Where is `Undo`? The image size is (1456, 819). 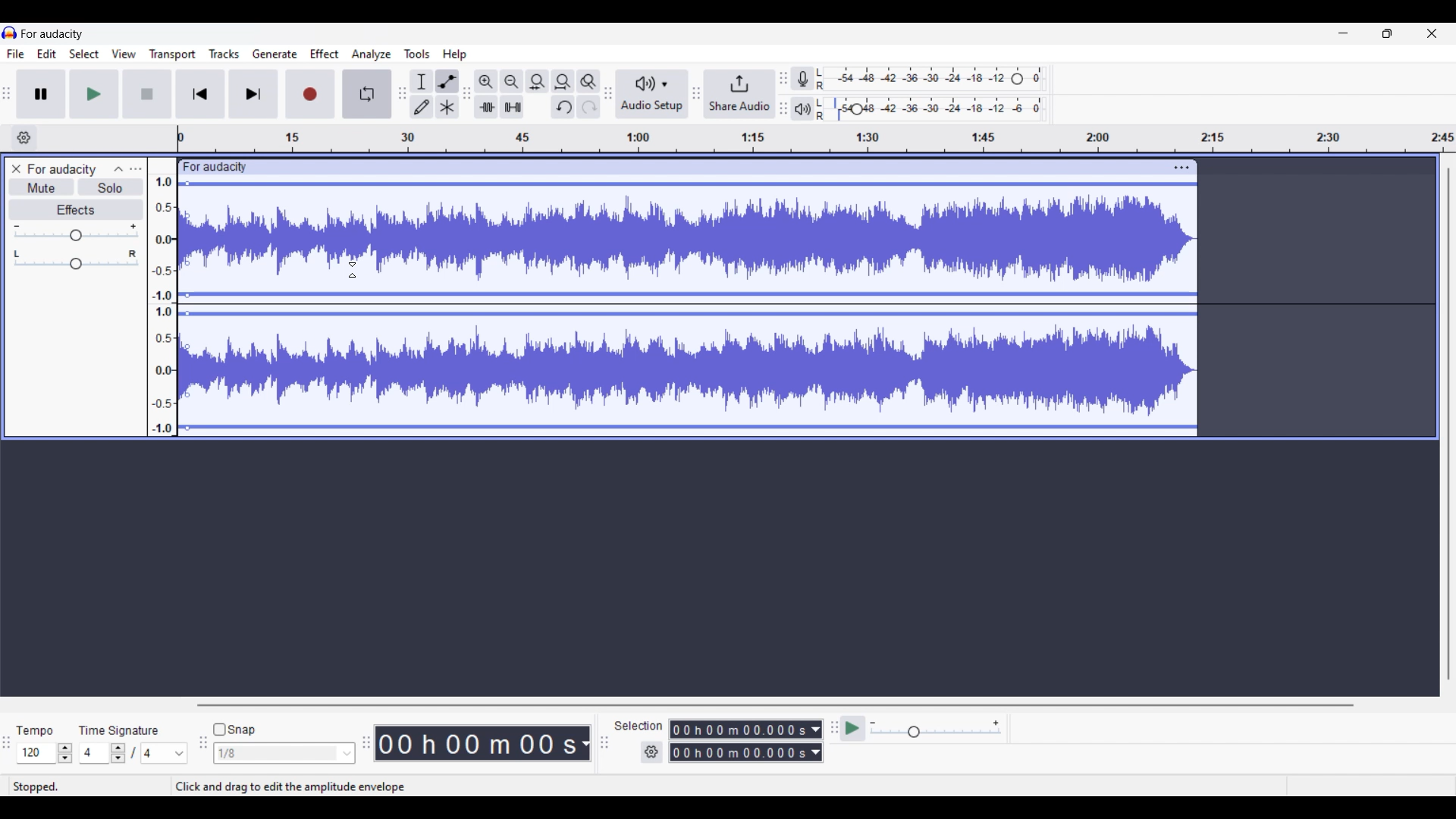 Undo is located at coordinates (563, 107).